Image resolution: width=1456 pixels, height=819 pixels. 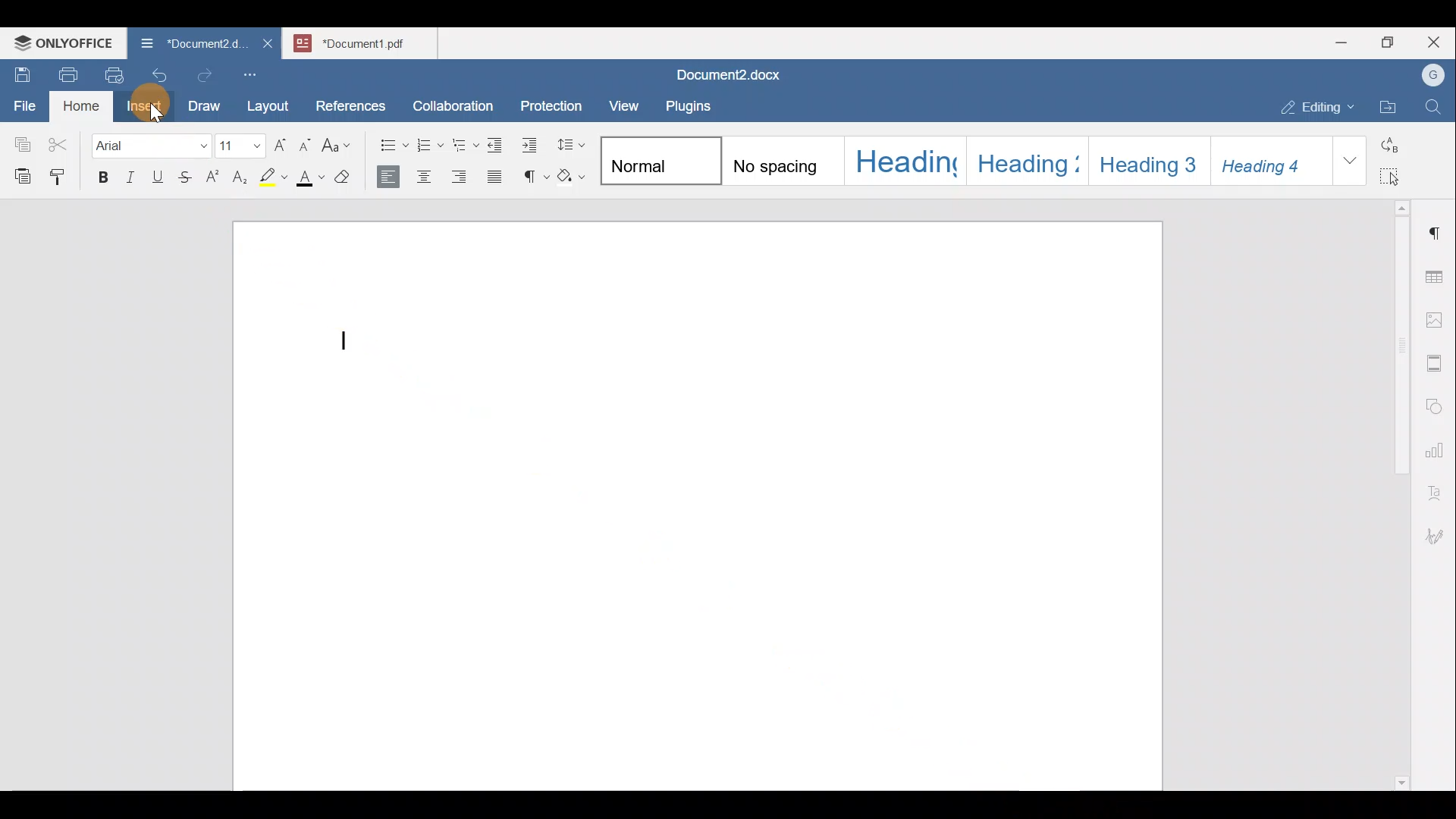 I want to click on Decrease indent, so click(x=497, y=145).